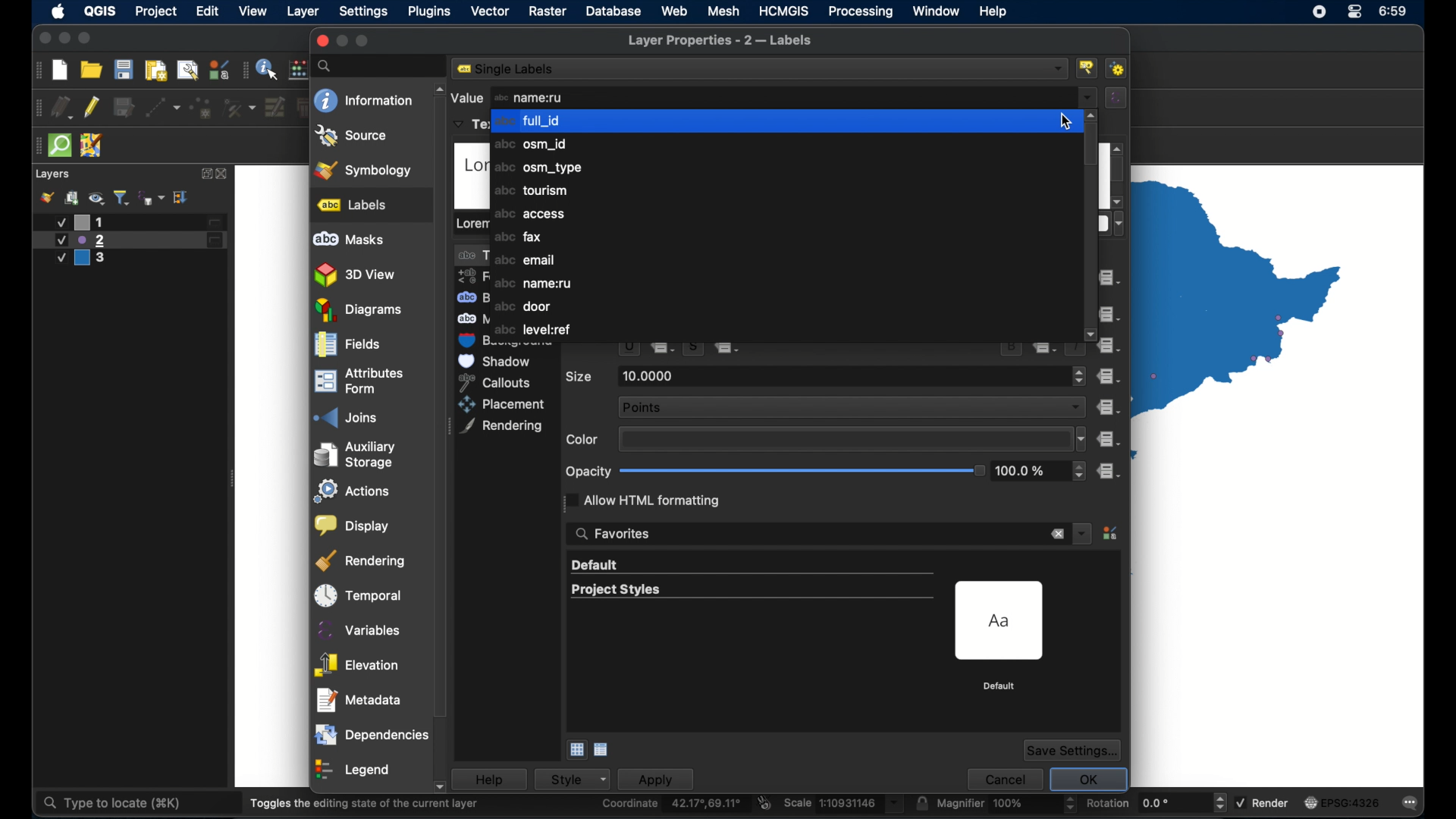 The width and height of the screenshot is (1456, 819). Describe the element at coordinates (304, 12) in the screenshot. I see `layer` at that location.